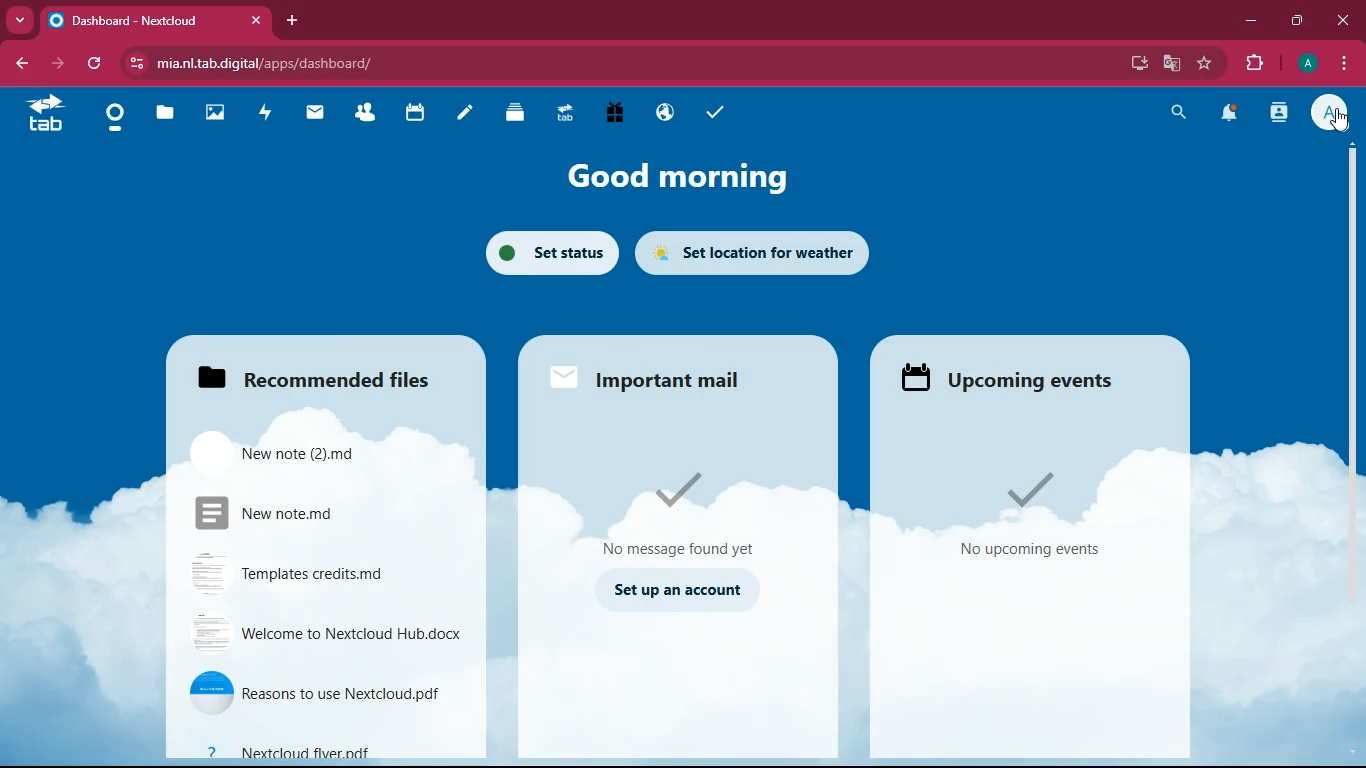 The image size is (1366, 768). What do you see at coordinates (98, 63) in the screenshot?
I see `refresh` at bounding box center [98, 63].